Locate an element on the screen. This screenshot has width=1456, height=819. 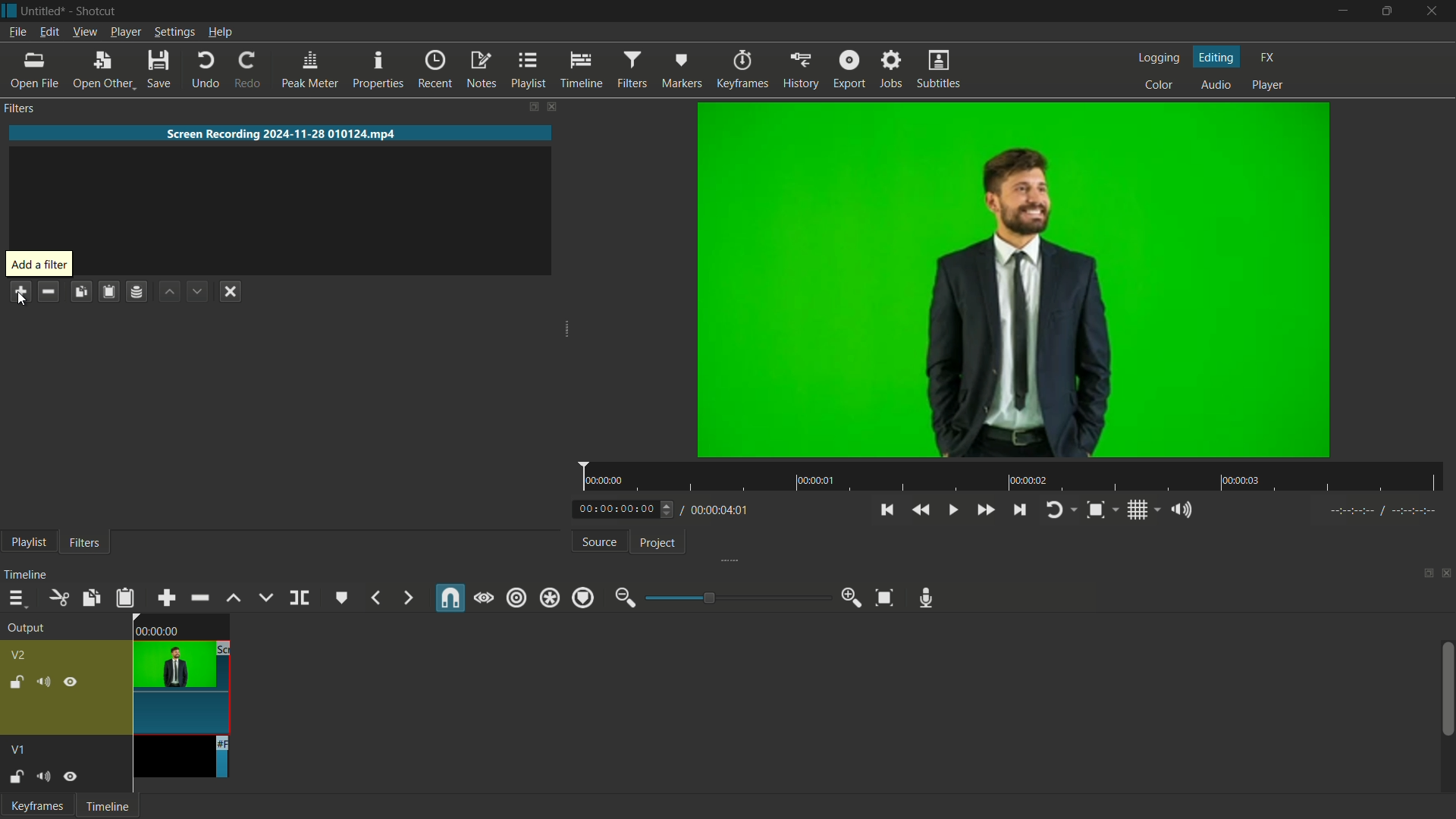
history is located at coordinates (798, 71).